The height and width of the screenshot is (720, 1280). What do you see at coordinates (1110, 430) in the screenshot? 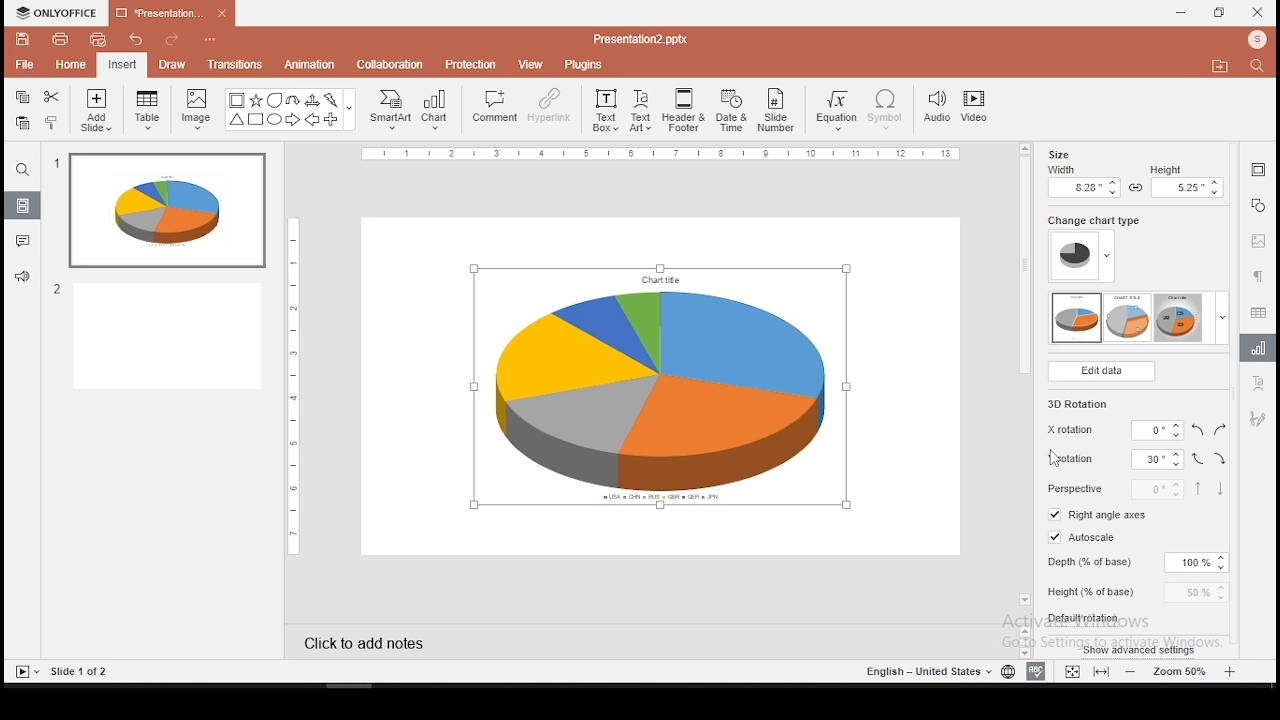
I see `X rotation` at bounding box center [1110, 430].